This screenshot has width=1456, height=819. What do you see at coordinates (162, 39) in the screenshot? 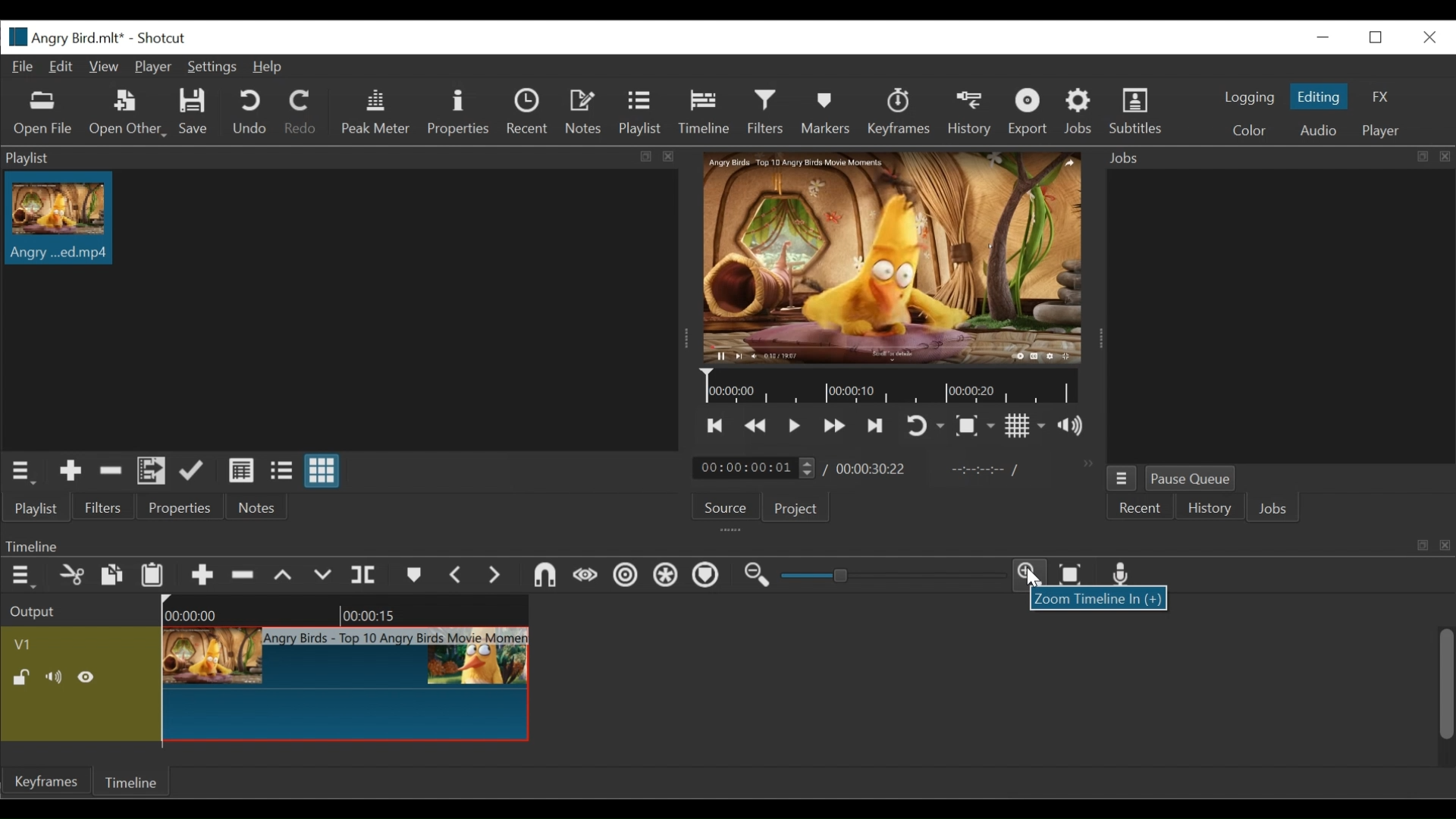
I see `Shotcut` at bounding box center [162, 39].